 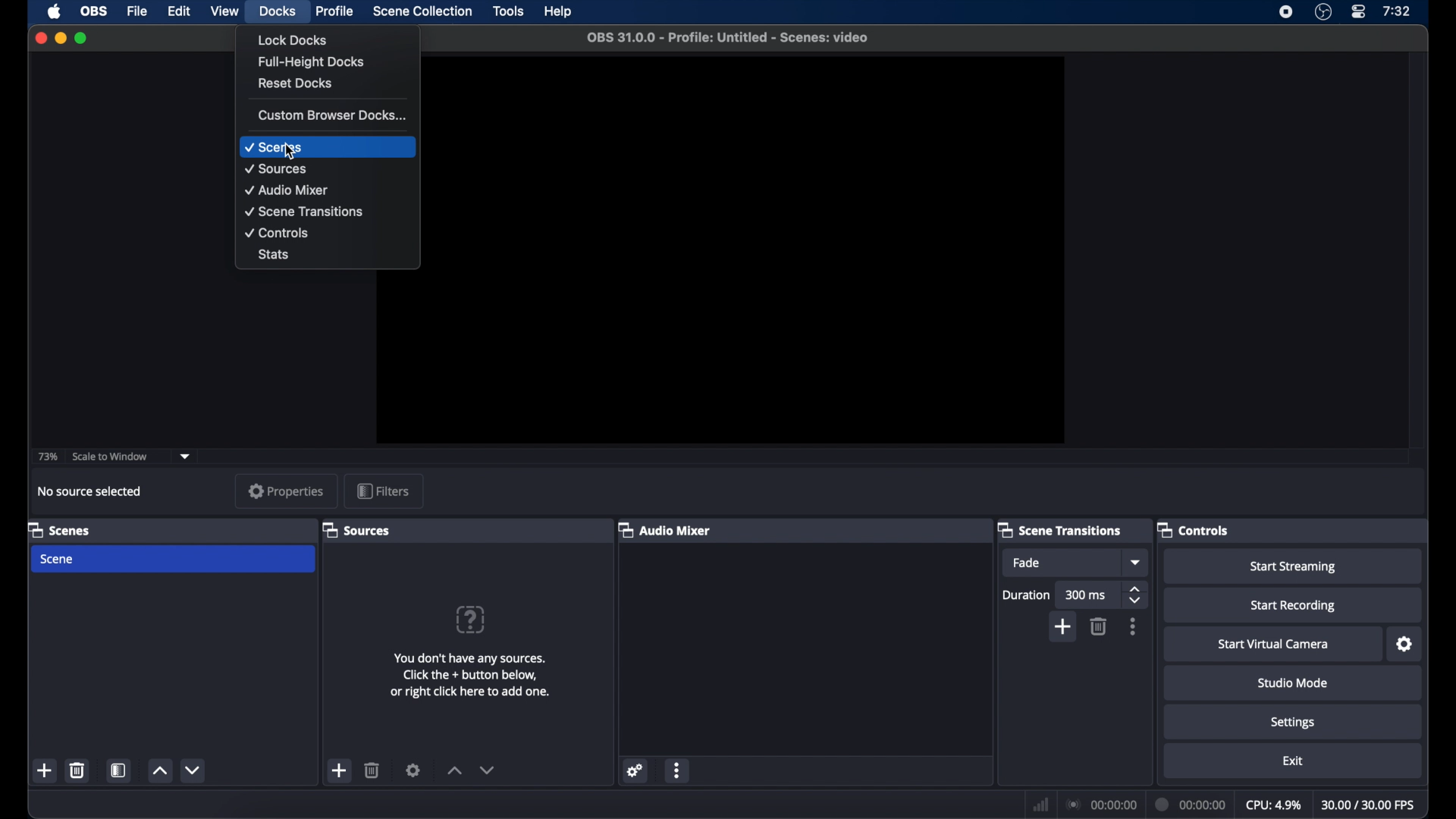 I want to click on more options, so click(x=678, y=771).